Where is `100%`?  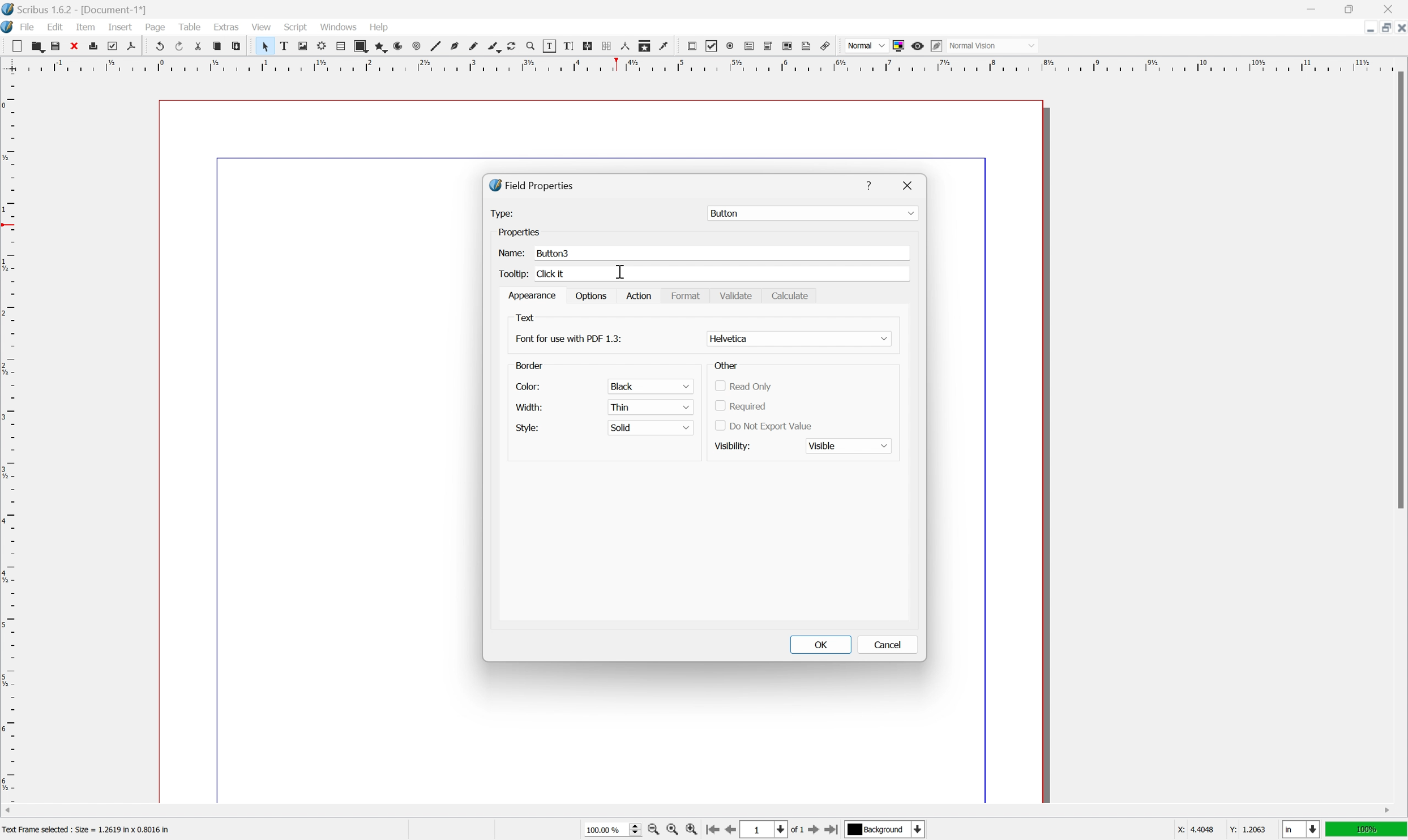 100% is located at coordinates (1367, 831).